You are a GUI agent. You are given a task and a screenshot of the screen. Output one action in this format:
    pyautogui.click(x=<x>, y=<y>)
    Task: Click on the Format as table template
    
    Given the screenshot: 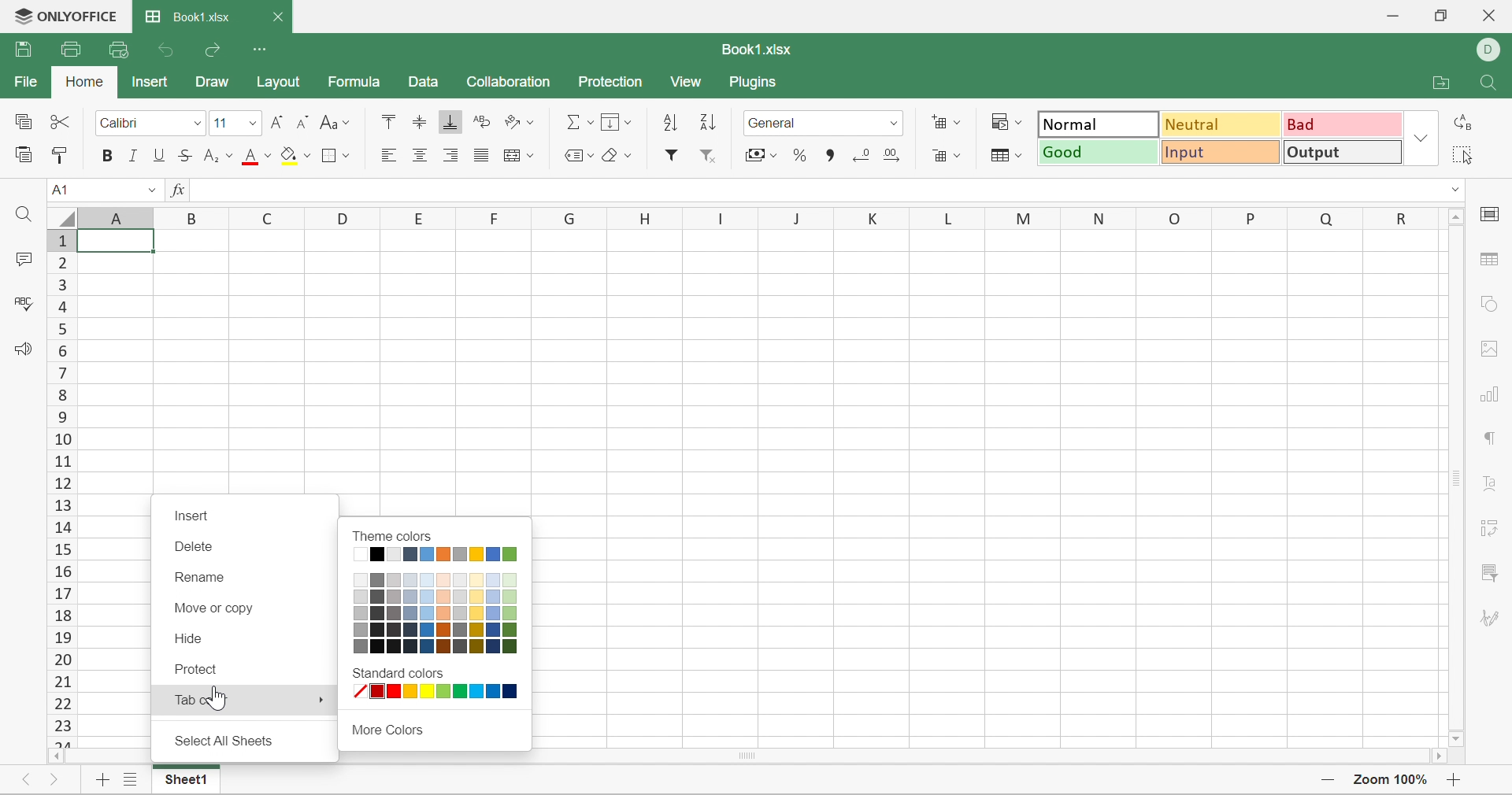 What is the action you would take?
    pyautogui.click(x=1006, y=155)
    